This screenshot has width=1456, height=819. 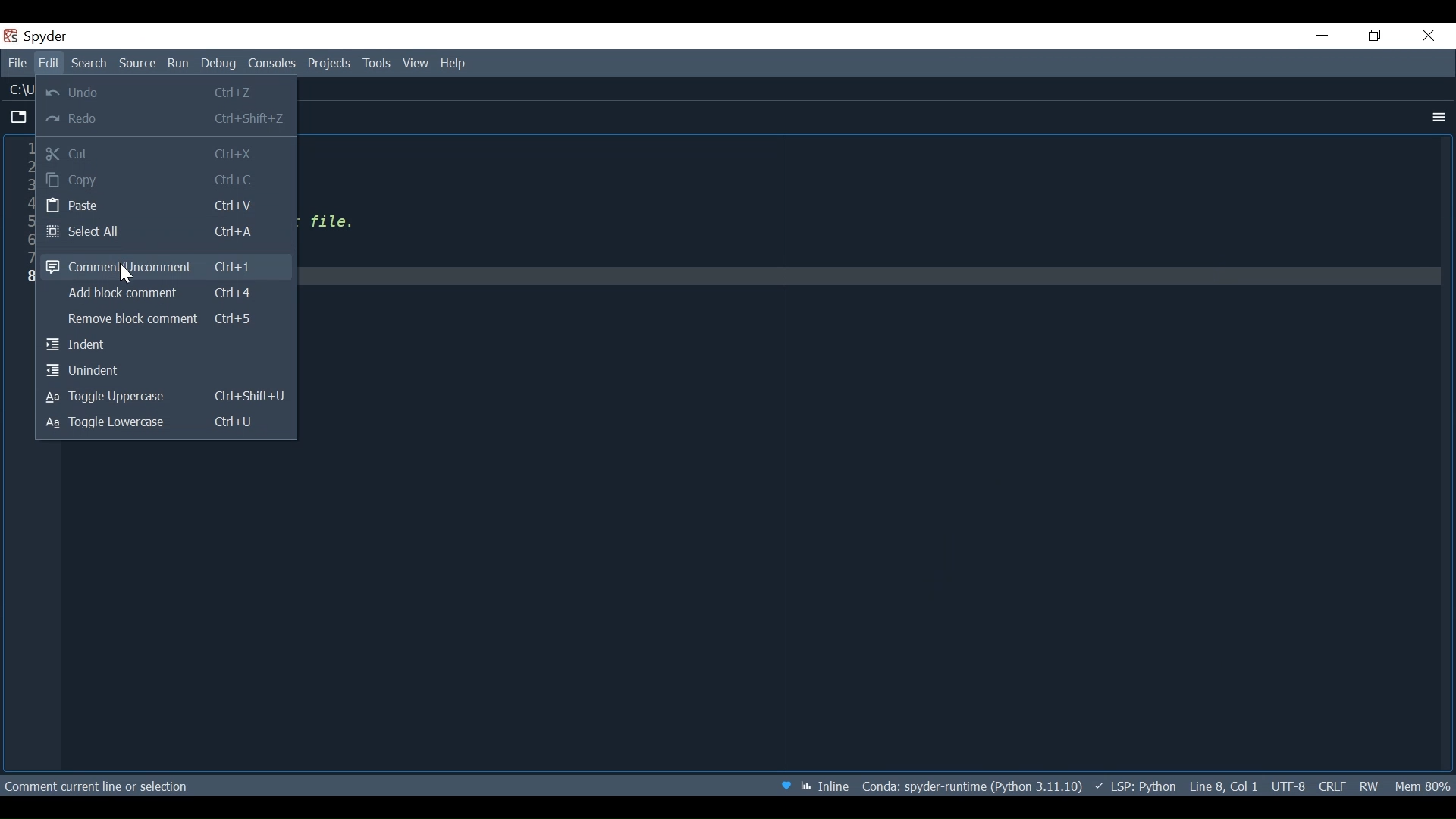 I want to click on Cut, so click(x=165, y=153).